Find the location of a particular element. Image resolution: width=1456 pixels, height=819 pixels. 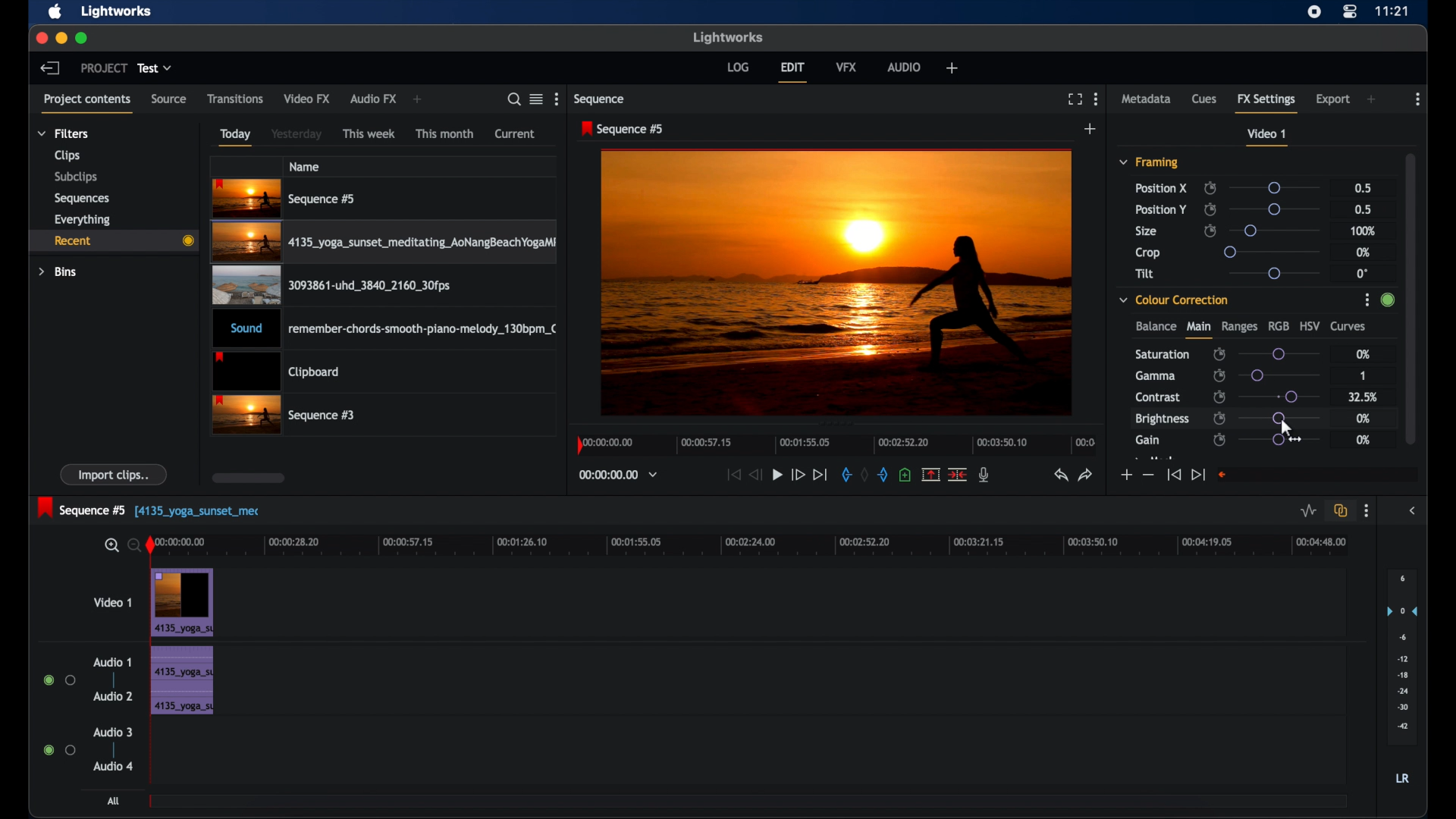

slider is located at coordinates (1277, 230).